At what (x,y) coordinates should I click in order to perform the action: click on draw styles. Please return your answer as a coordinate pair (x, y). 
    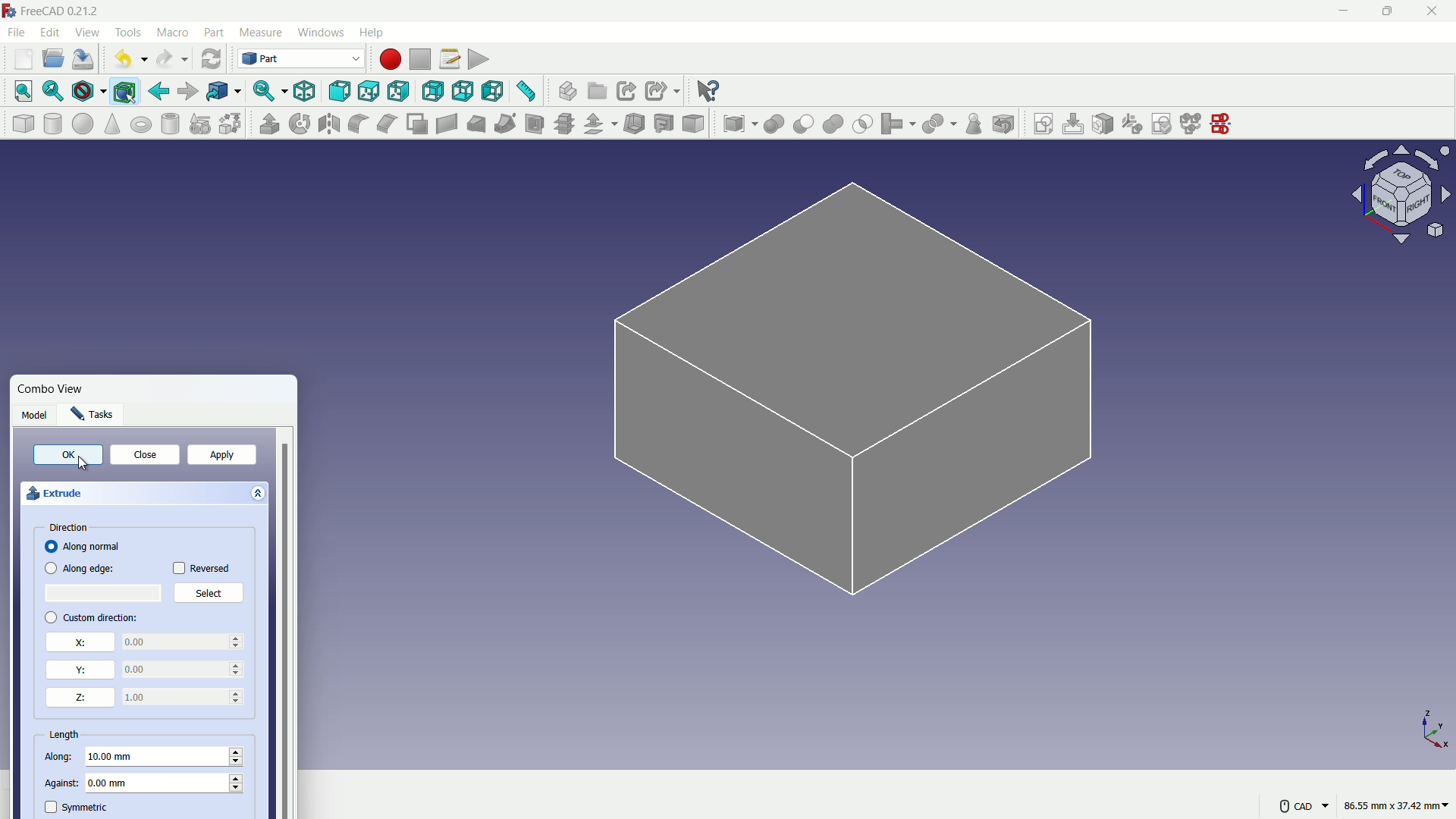
    Looking at the image, I should click on (90, 92).